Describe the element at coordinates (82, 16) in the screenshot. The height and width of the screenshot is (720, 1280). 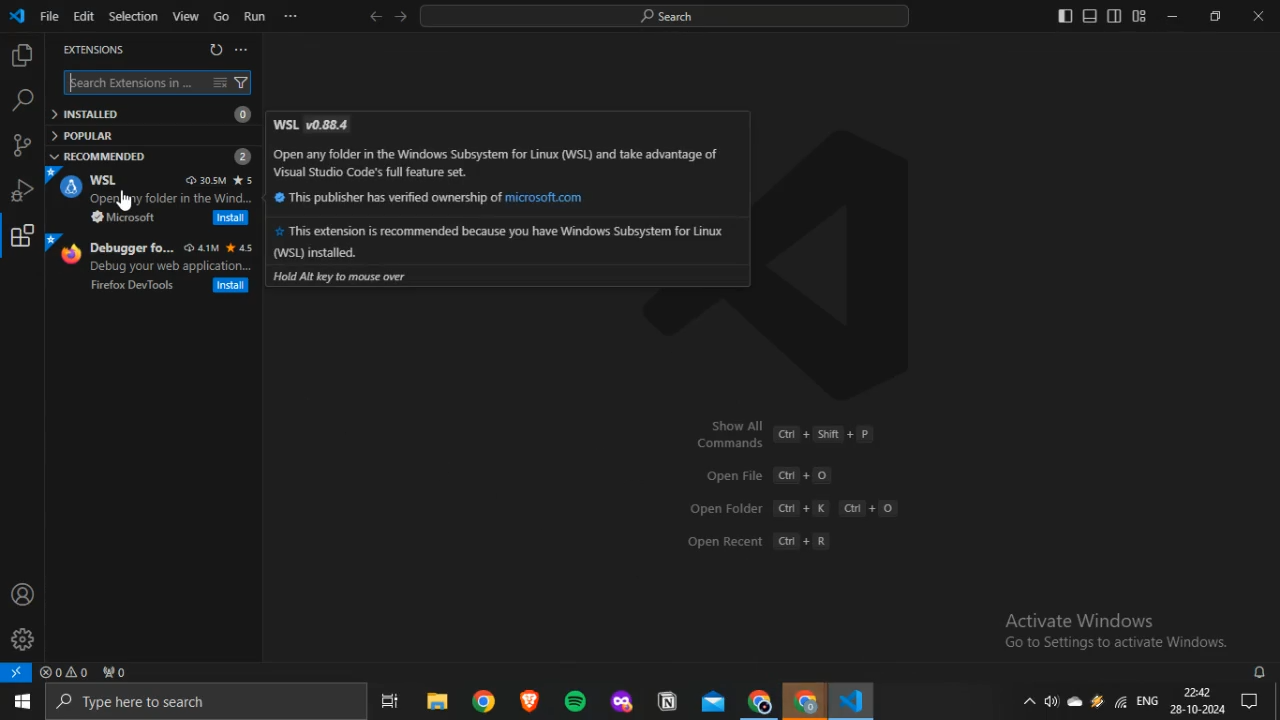
I see `Edit` at that location.